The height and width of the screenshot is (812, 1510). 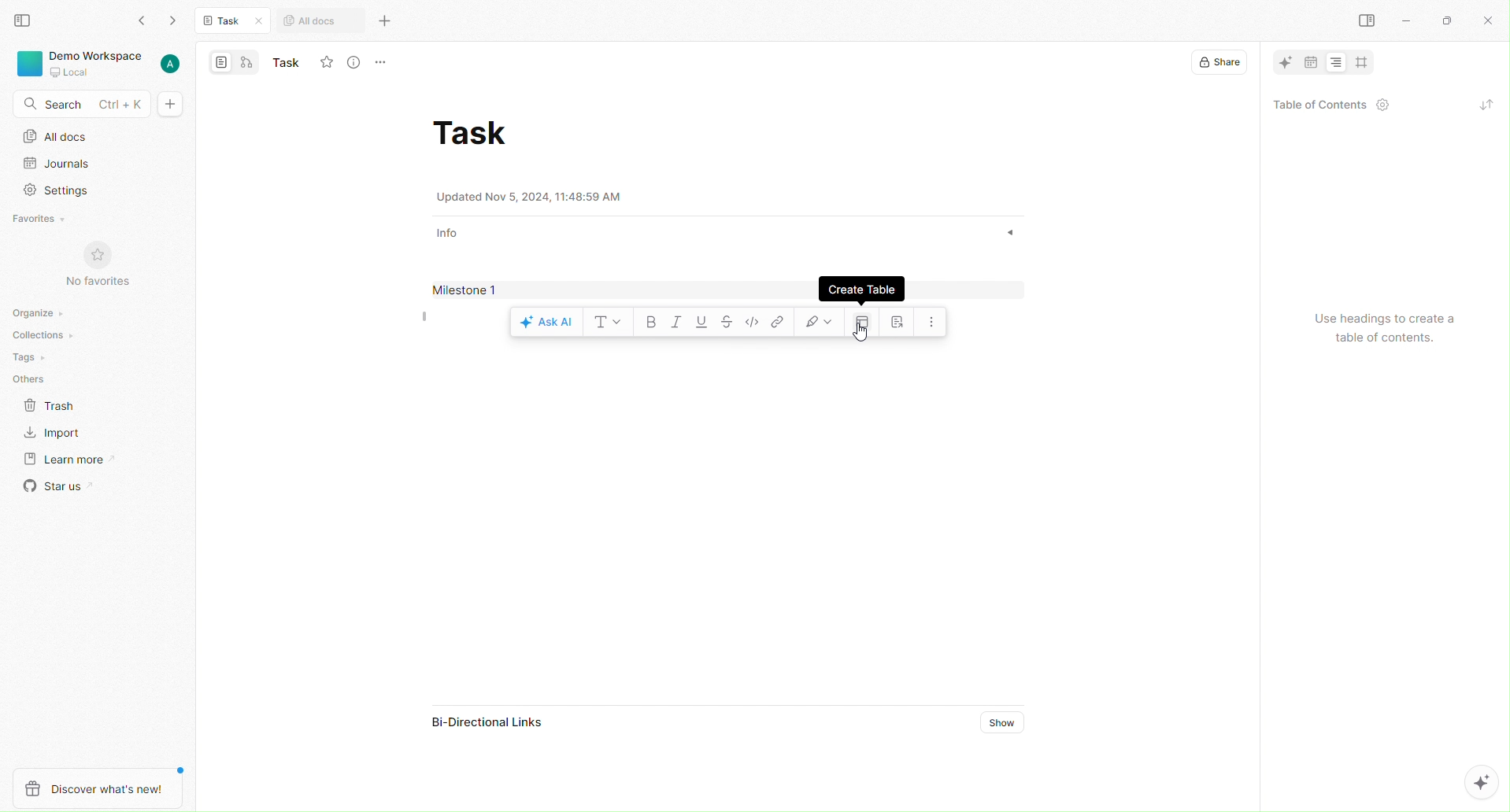 I want to click on Learn More, so click(x=80, y=460).